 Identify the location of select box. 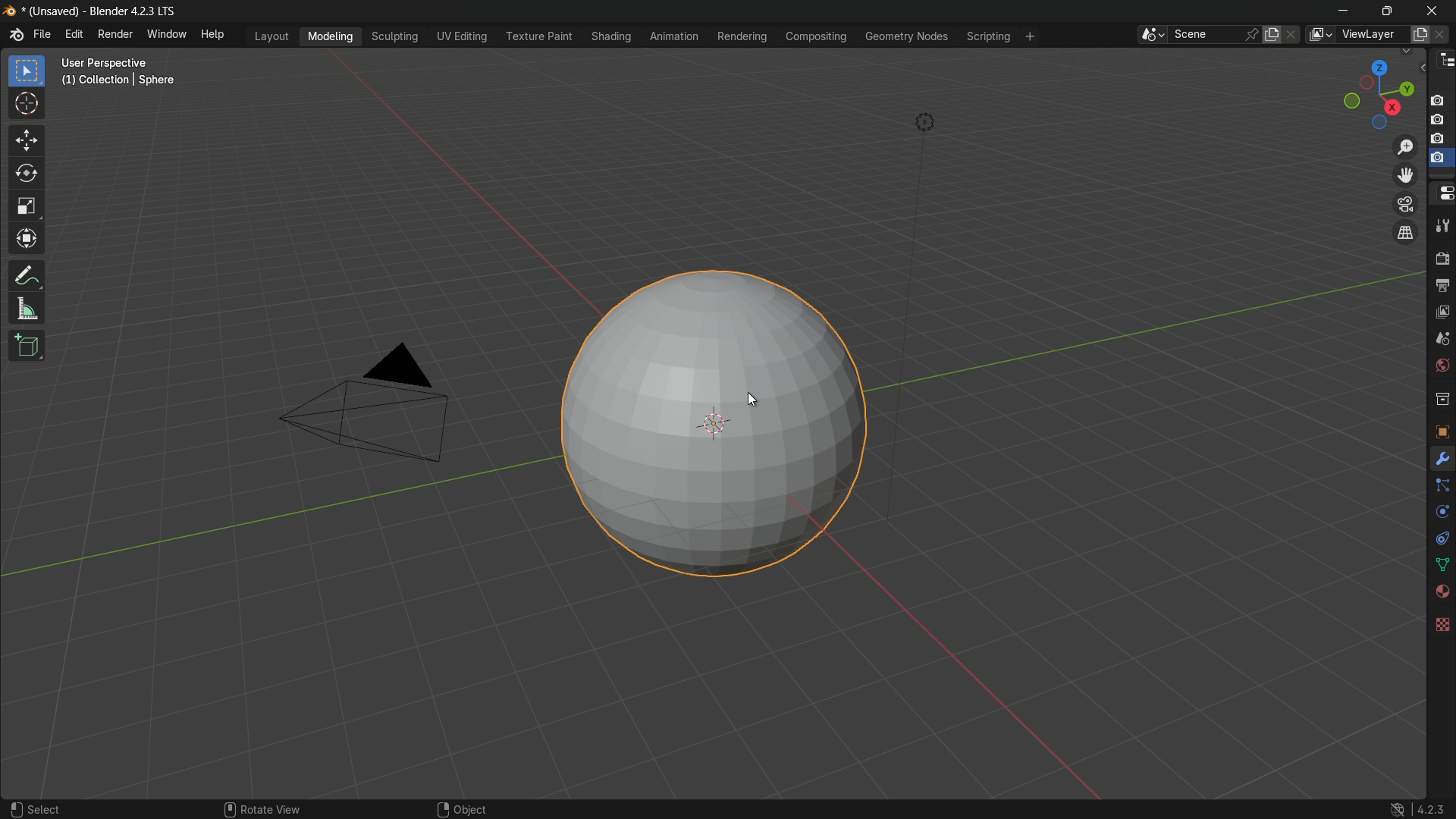
(25, 71).